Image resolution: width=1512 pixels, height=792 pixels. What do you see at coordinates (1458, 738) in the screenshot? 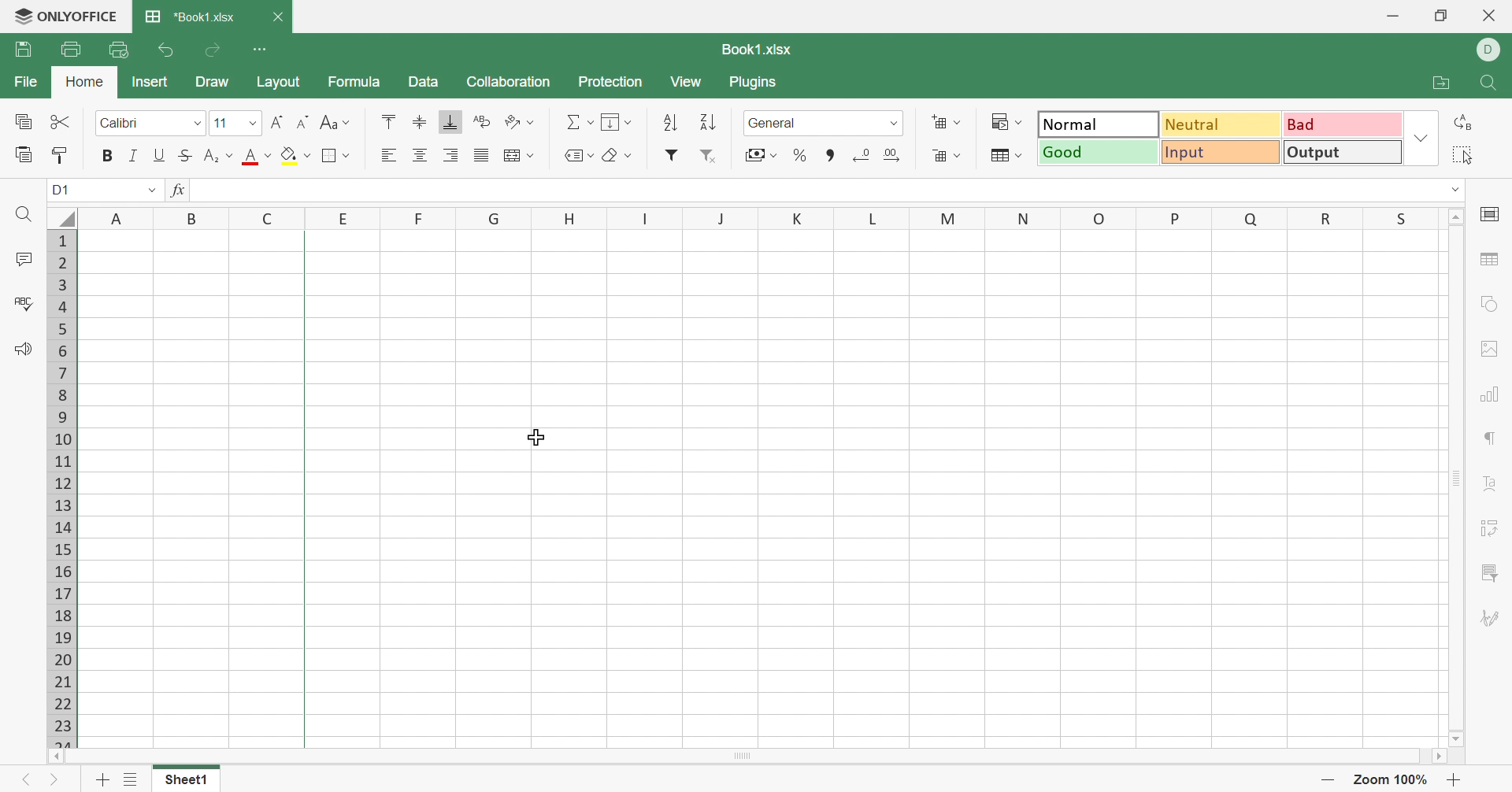
I see `Scroll Down` at bounding box center [1458, 738].